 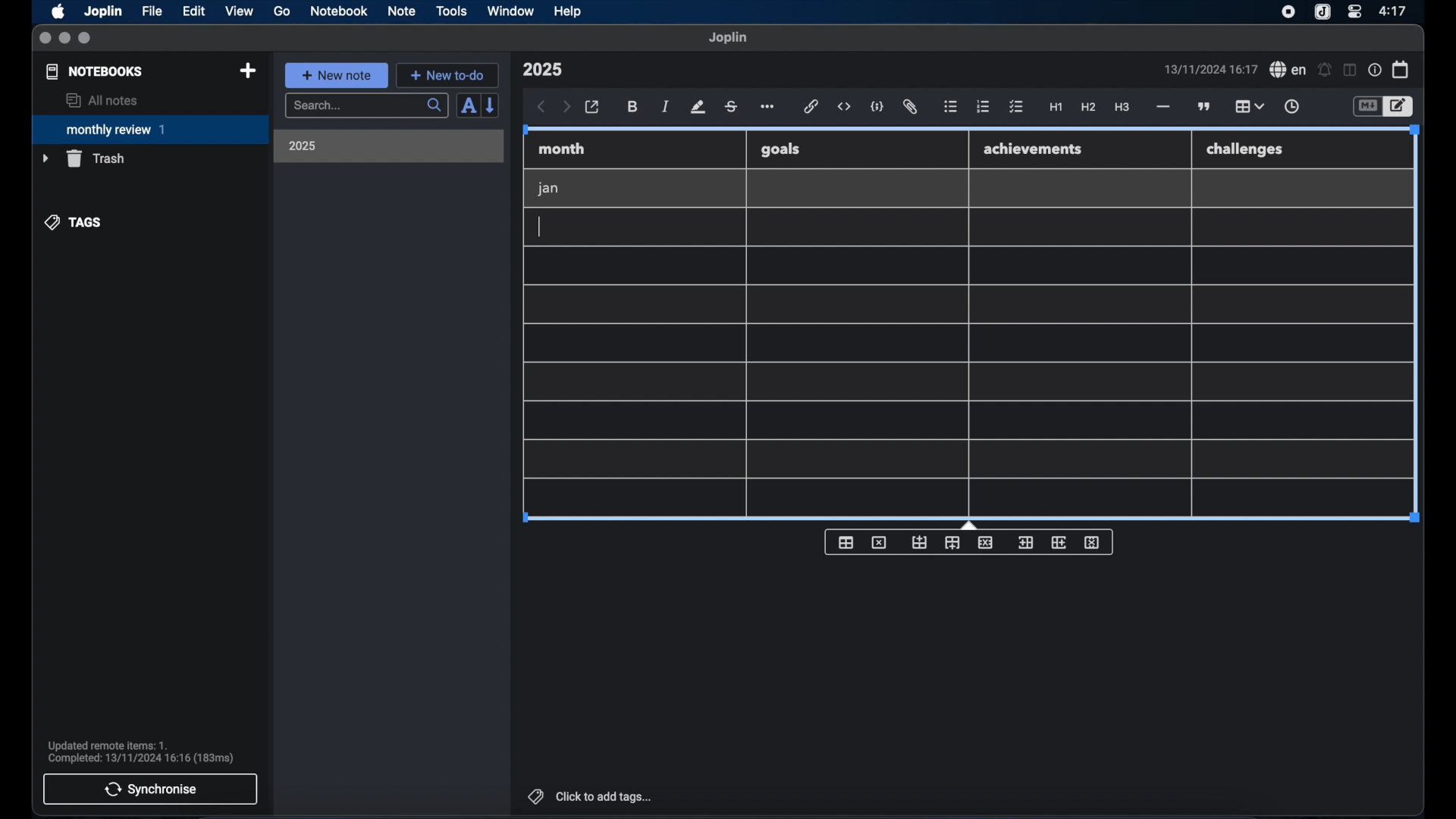 I want to click on block quotes, so click(x=1205, y=107).